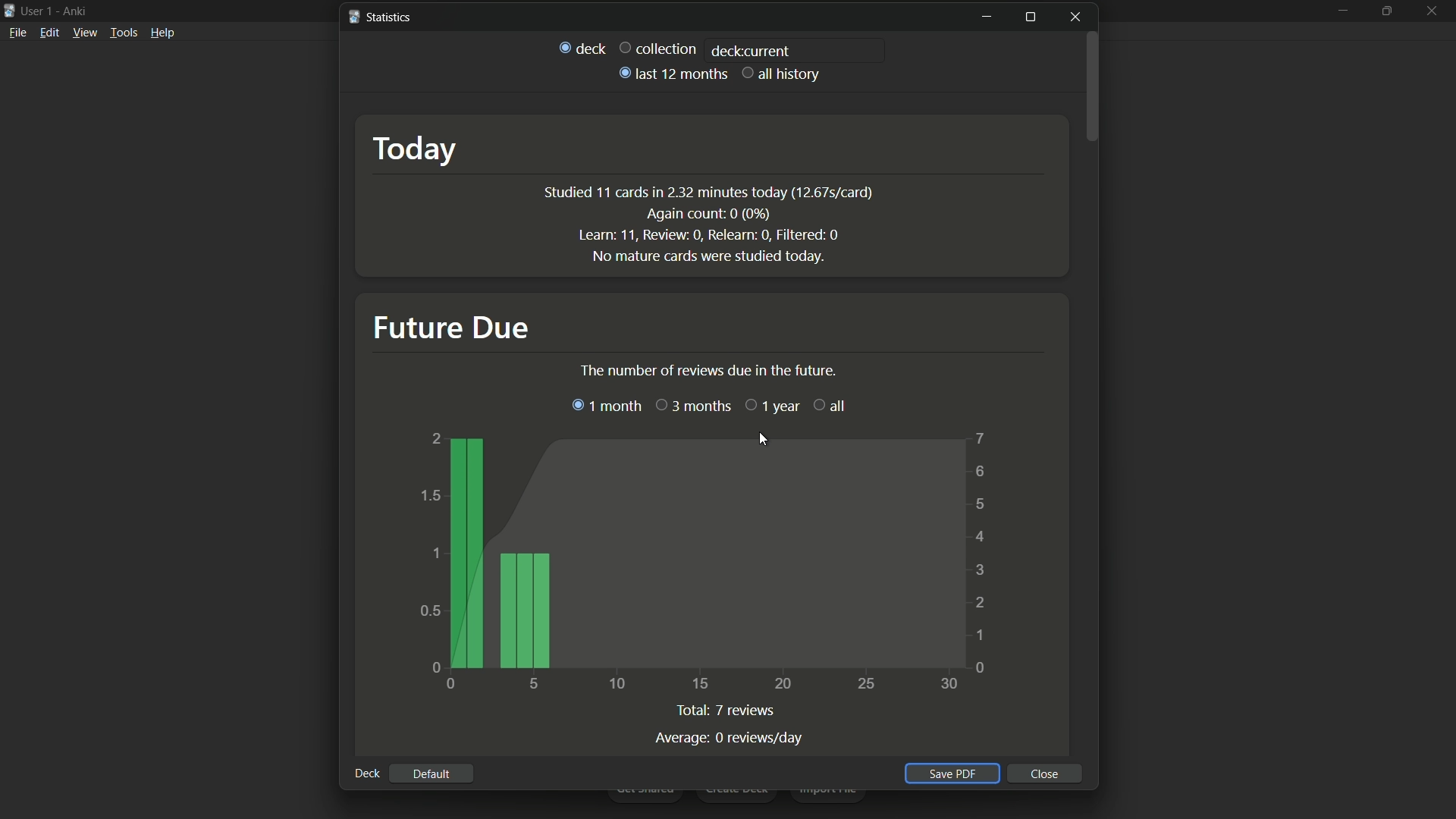 This screenshot has width=1456, height=819. What do you see at coordinates (39, 11) in the screenshot?
I see `user 1` at bounding box center [39, 11].